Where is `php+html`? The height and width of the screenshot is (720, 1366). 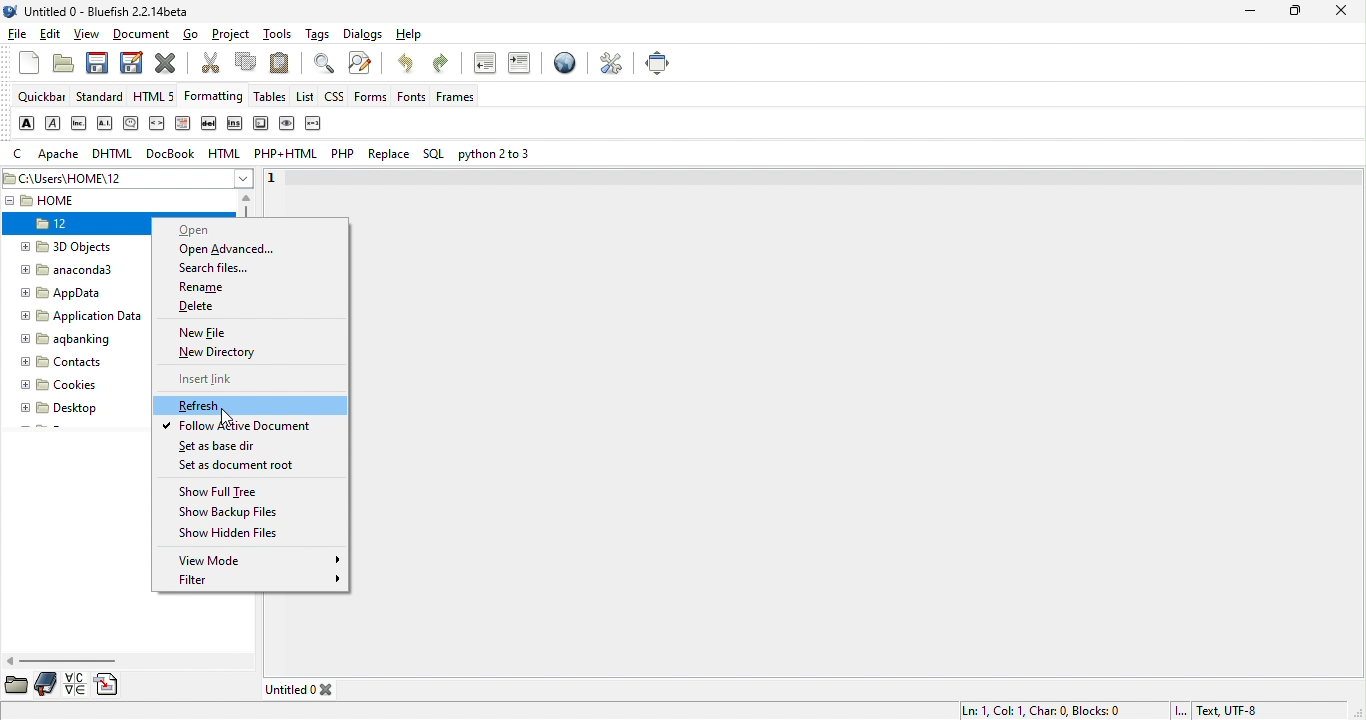
php+html is located at coordinates (287, 154).